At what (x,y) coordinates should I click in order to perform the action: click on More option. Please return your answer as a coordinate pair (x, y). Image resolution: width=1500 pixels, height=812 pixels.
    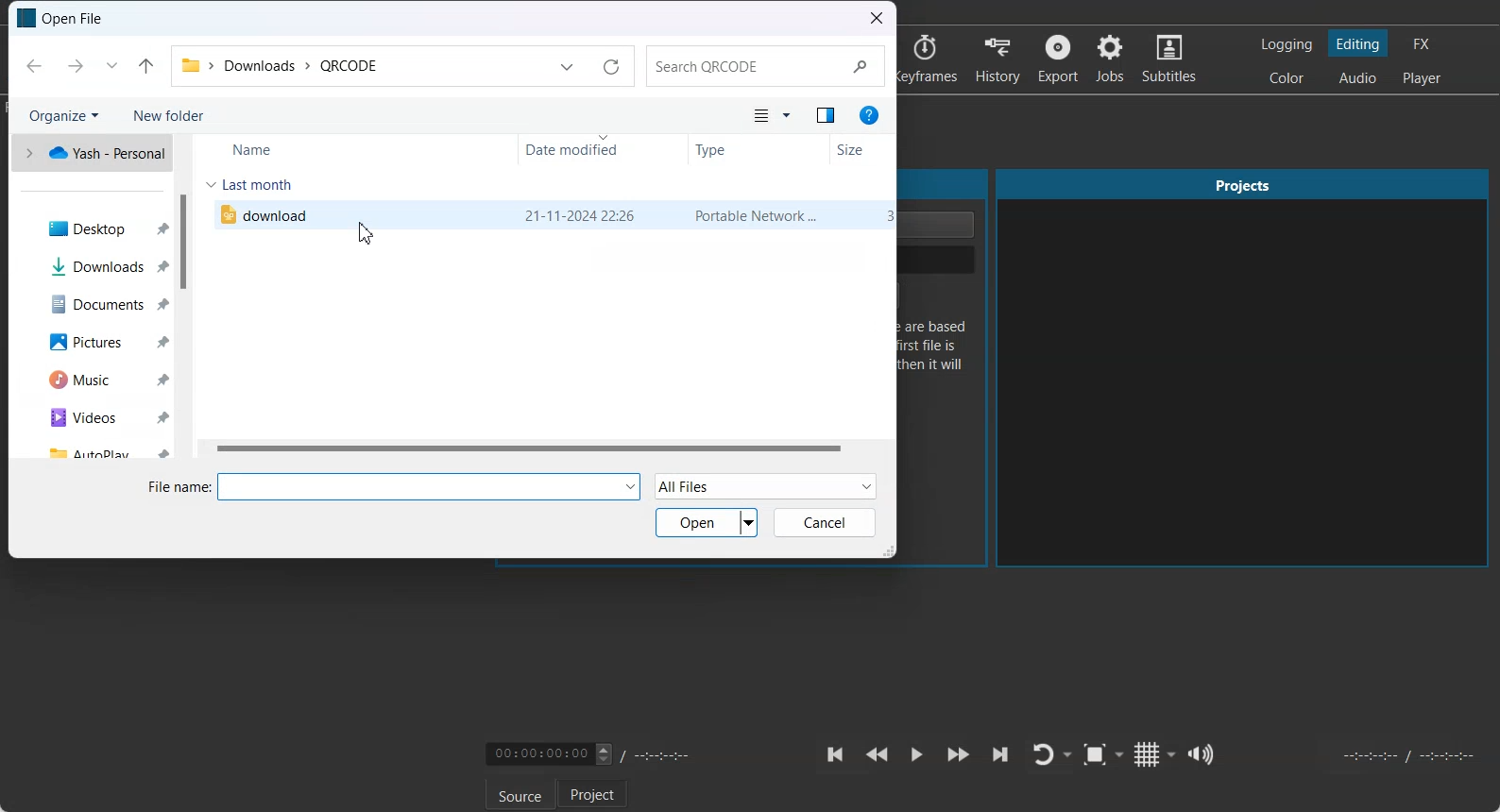
    Looking at the image, I should click on (788, 116).